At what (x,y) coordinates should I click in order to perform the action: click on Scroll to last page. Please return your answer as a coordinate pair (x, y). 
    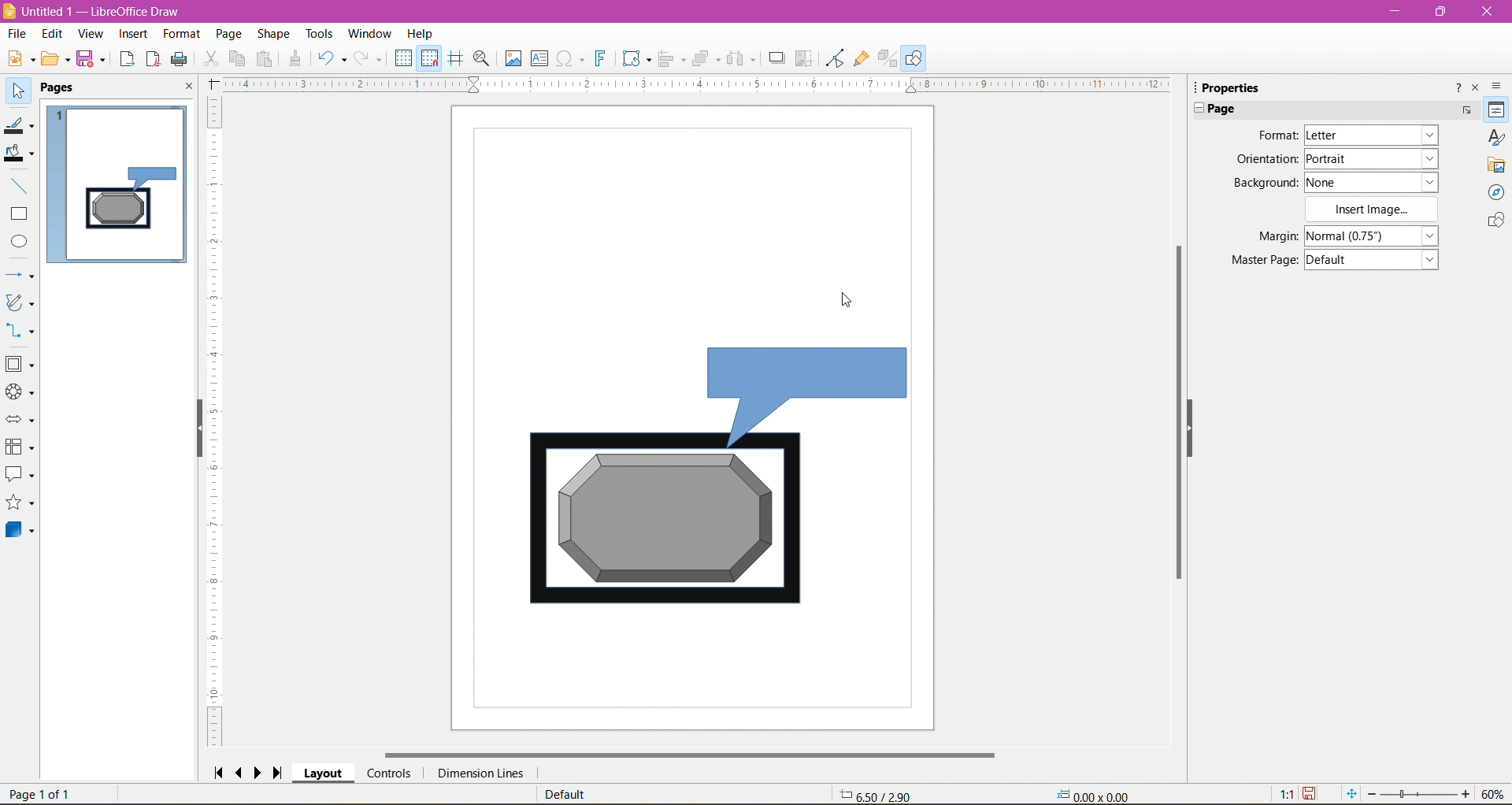
    Looking at the image, I should click on (283, 770).